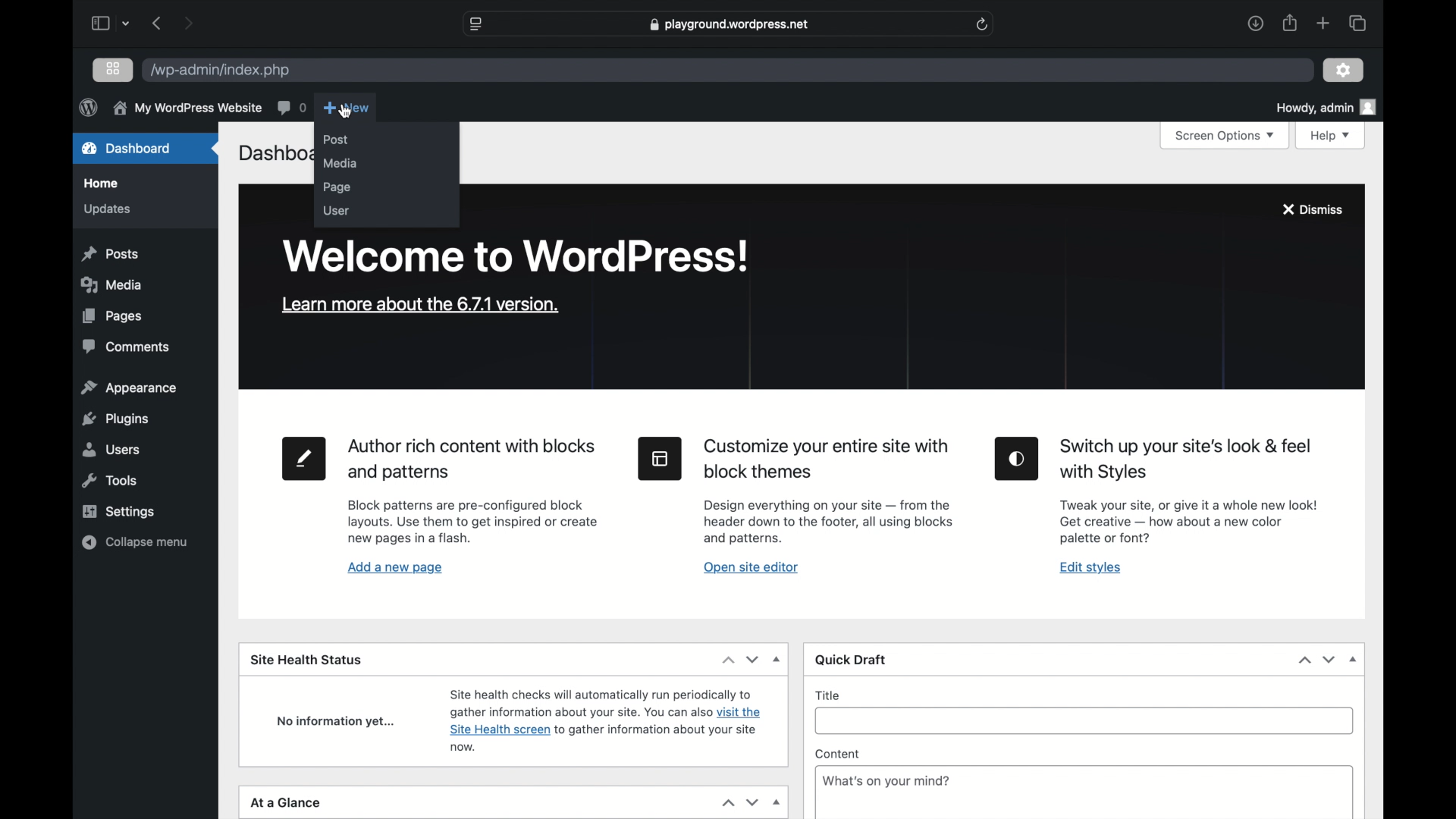 The width and height of the screenshot is (1456, 819). I want to click on Learnmore about 6.7.1 version, so click(420, 304).